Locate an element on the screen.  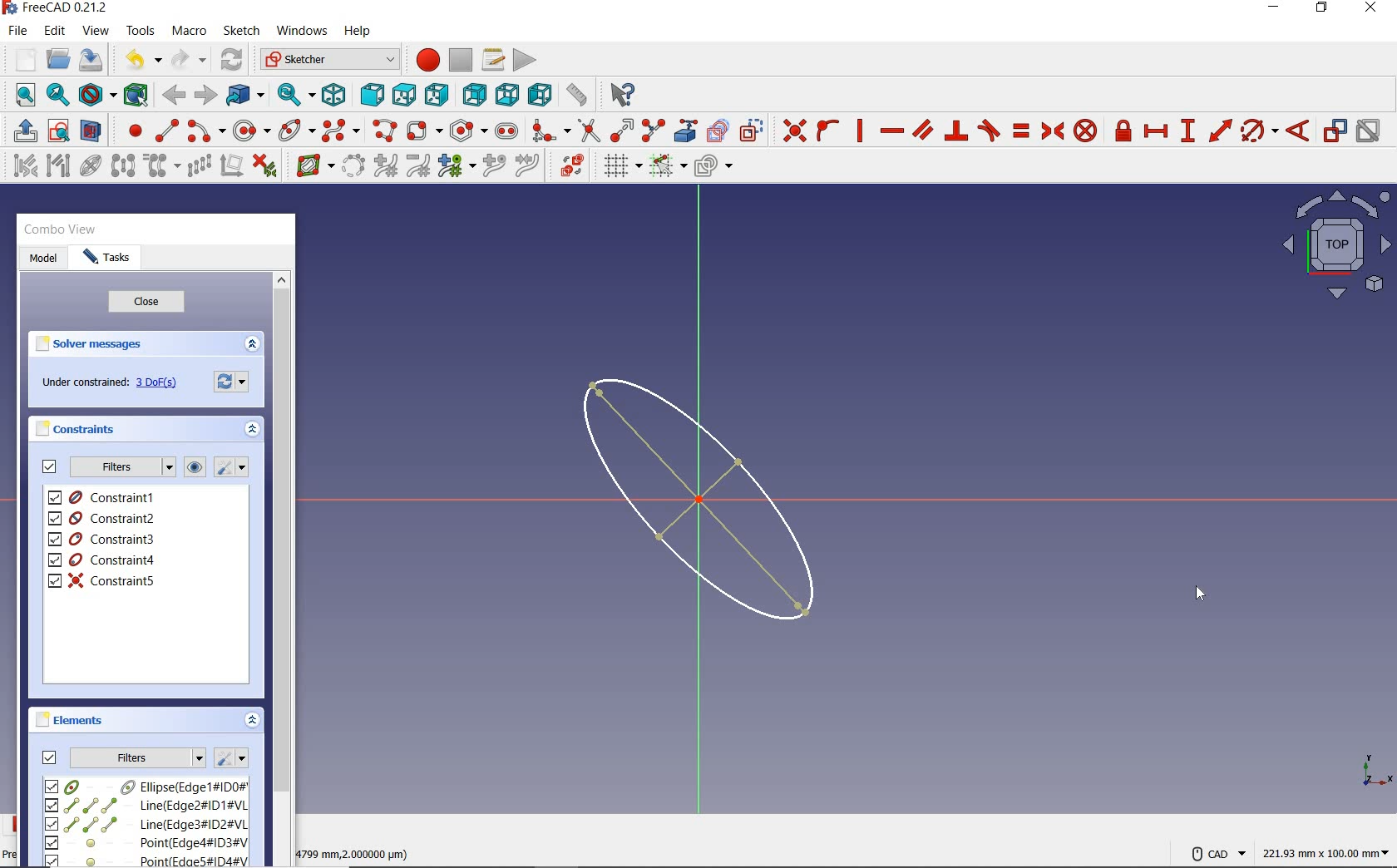
top is located at coordinates (403, 91).